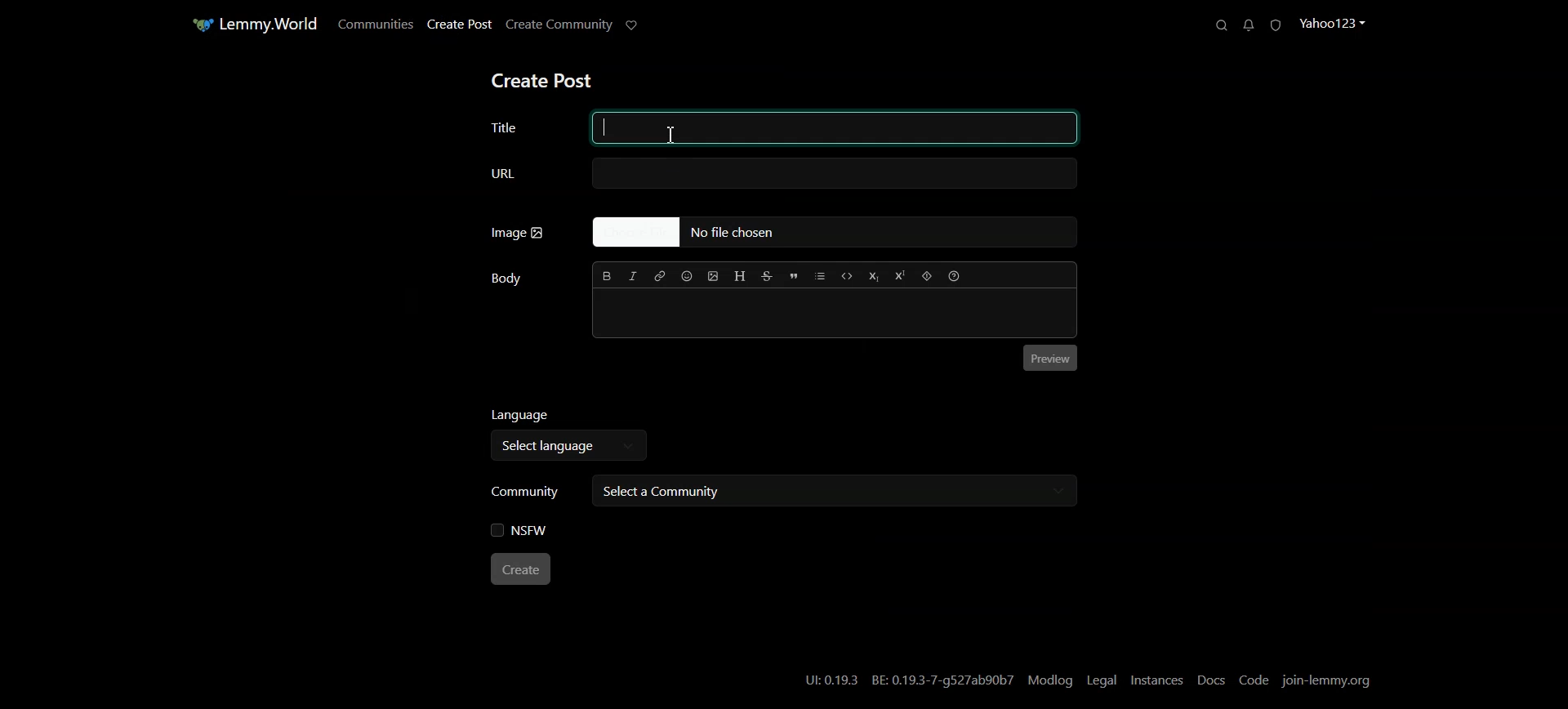 The image size is (1568, 709). What do you see at coordinates (518, 233) in the screenshot?
I see `Image` at bounding box center [518, 233].